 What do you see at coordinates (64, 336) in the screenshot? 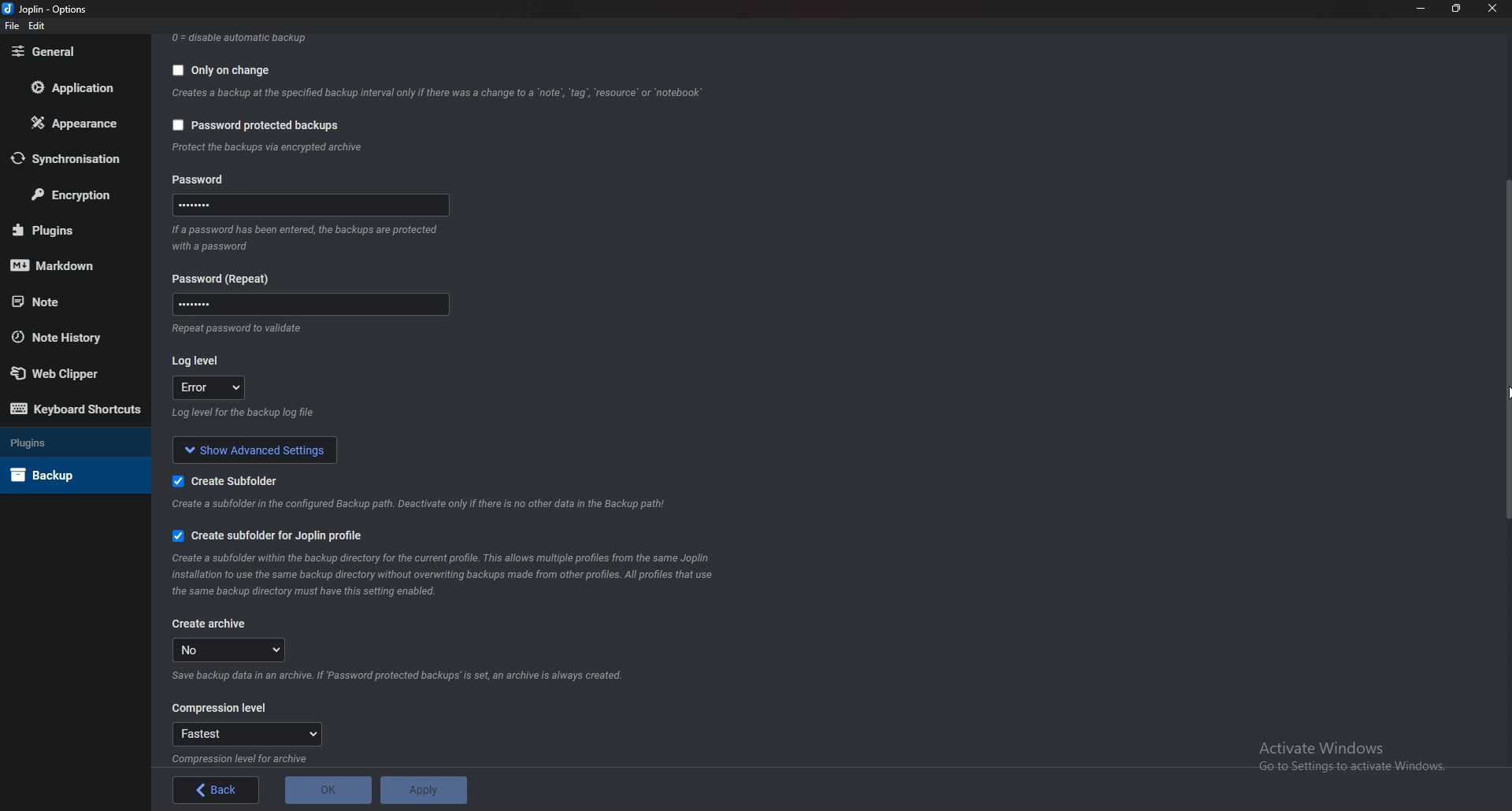
I see `Note history` at bounding box center [64, 336].